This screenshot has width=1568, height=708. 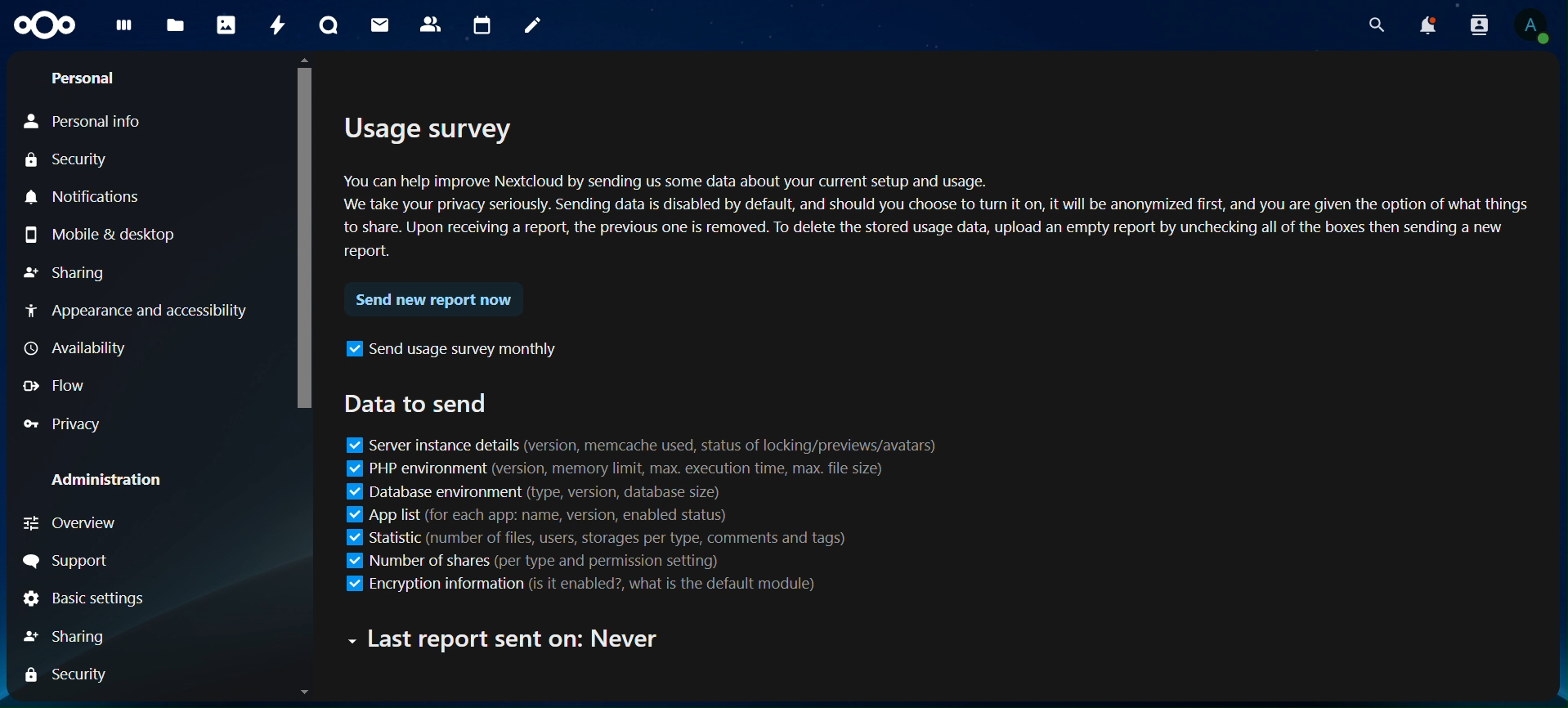 I want to click on icon, so click(x=356, y=349).